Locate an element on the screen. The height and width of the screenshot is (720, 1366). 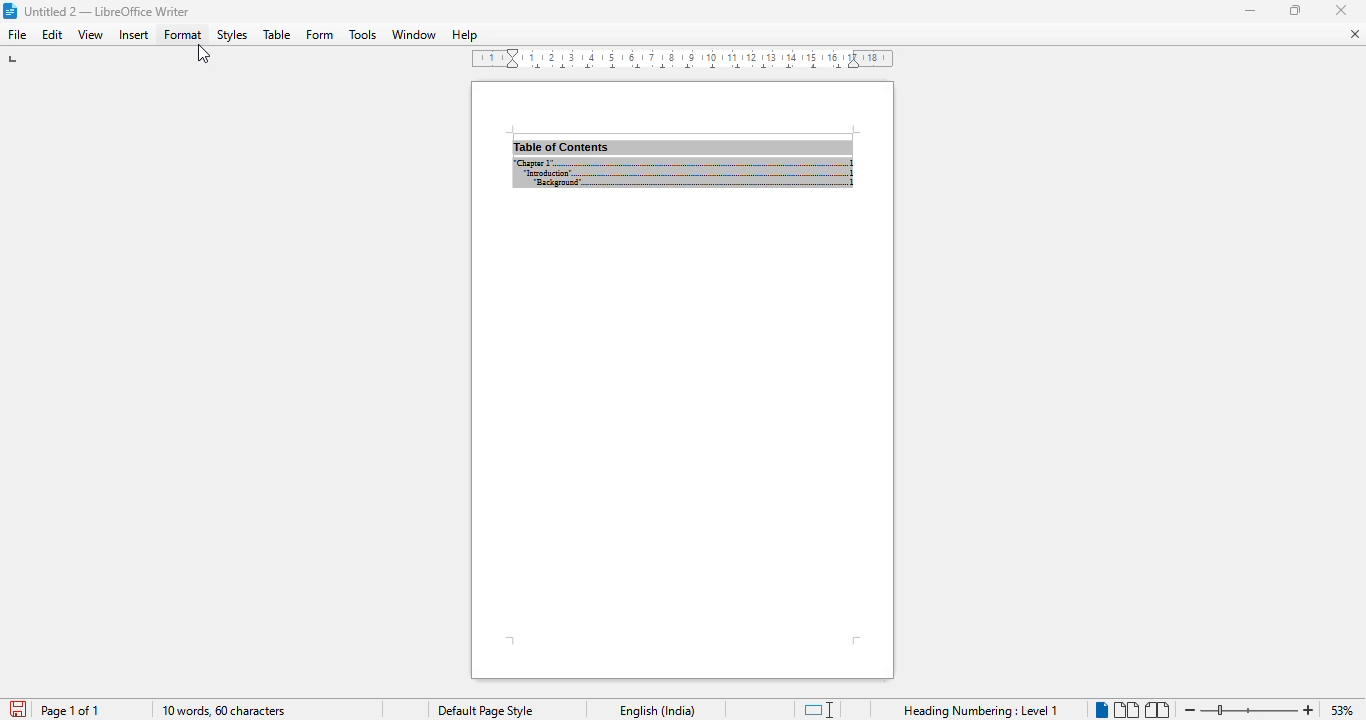
styles is located at coordinates (232, 35).